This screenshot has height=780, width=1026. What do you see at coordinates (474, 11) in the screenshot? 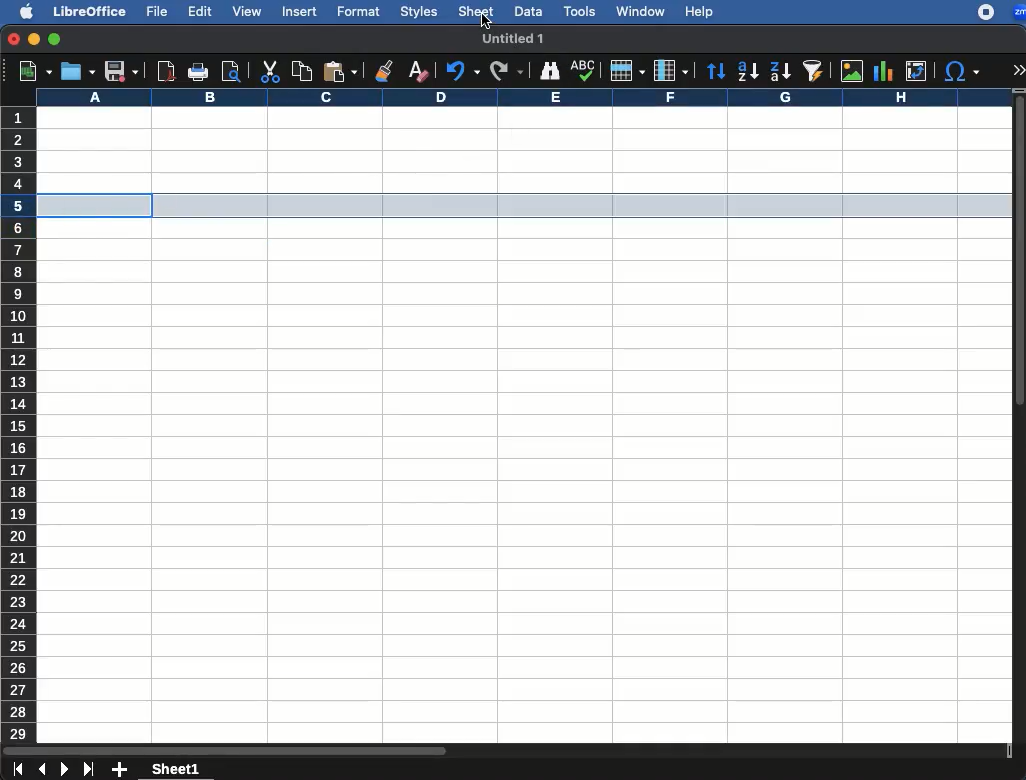
I see `sheet` at bounding box center [474, 11].